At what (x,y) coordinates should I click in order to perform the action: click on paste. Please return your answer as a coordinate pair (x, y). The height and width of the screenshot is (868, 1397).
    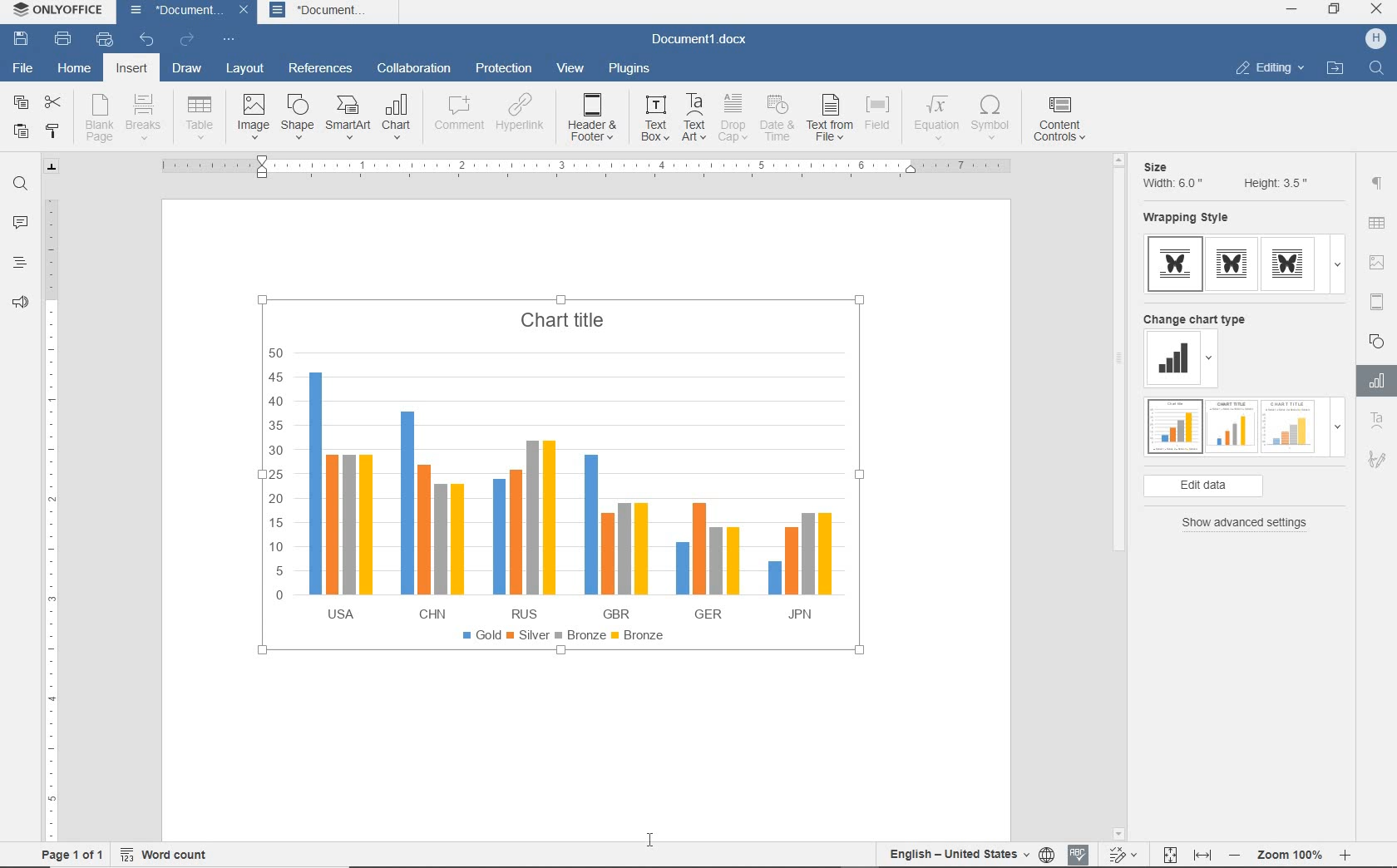
    Looking at the image, I should click on (21, 133).